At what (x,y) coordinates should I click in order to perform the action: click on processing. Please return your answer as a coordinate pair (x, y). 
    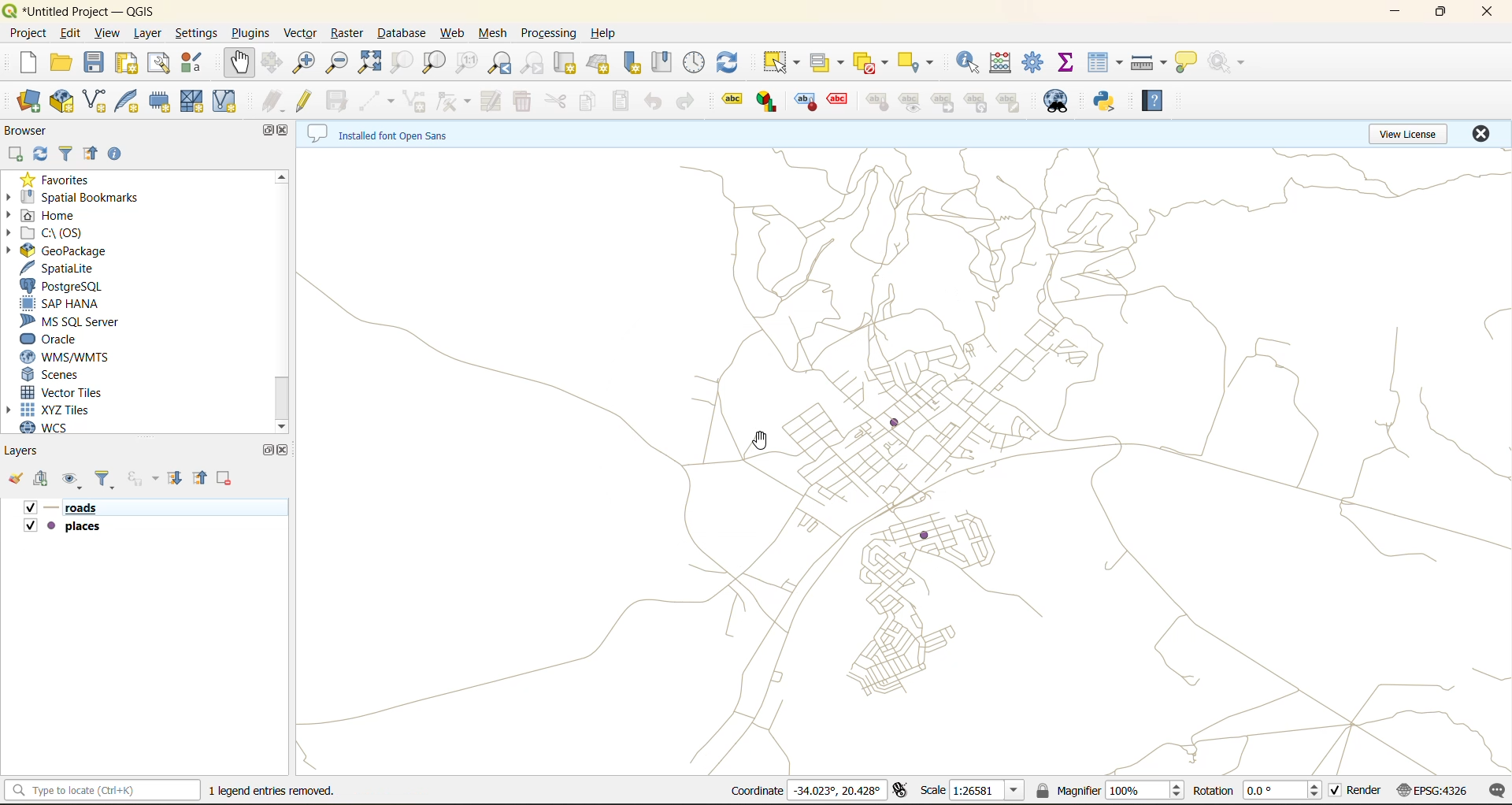
    Looking at the image, I should click on (548, 32).